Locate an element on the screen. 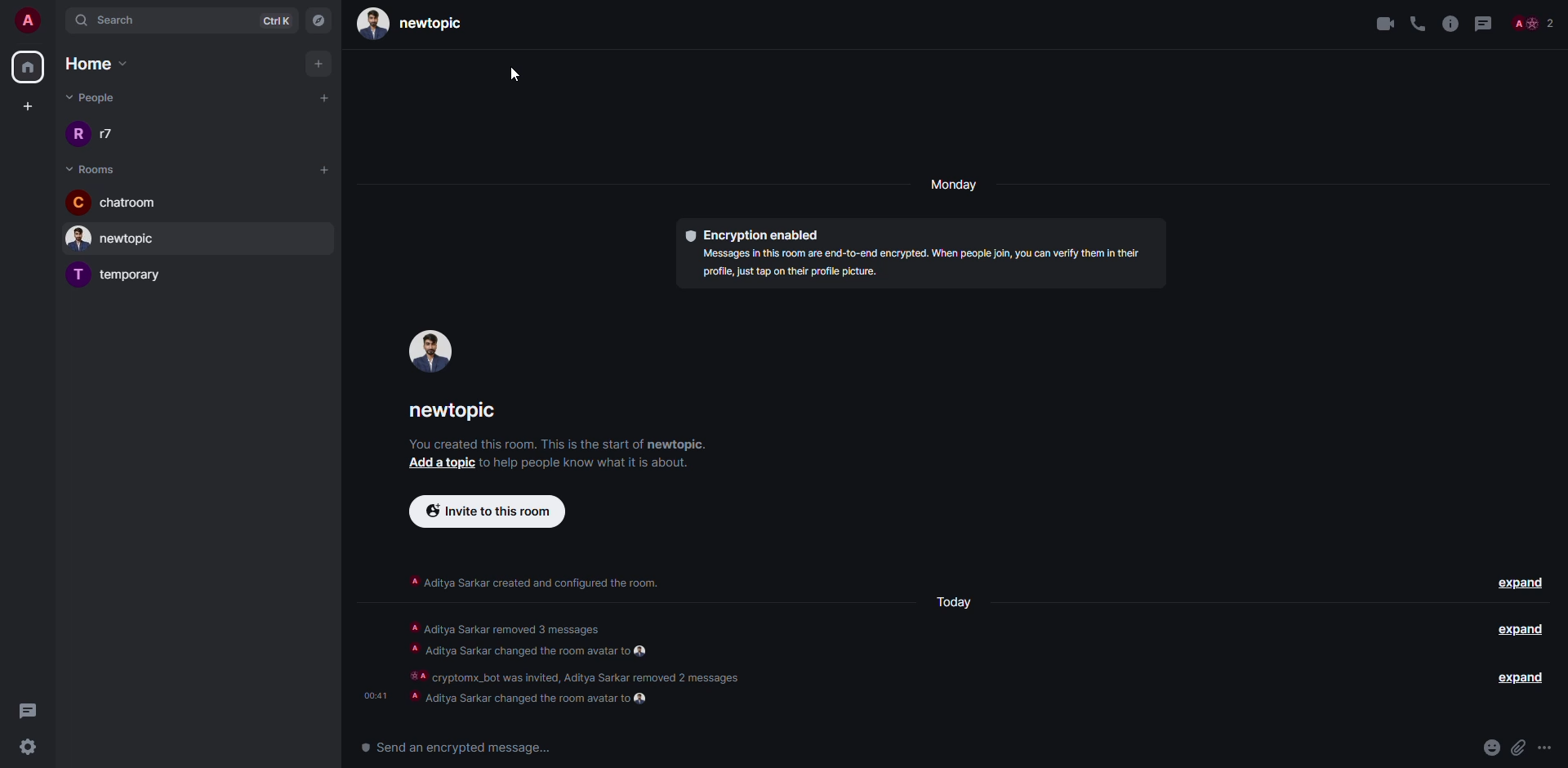  chatroom is located at coordinates (125, 203).